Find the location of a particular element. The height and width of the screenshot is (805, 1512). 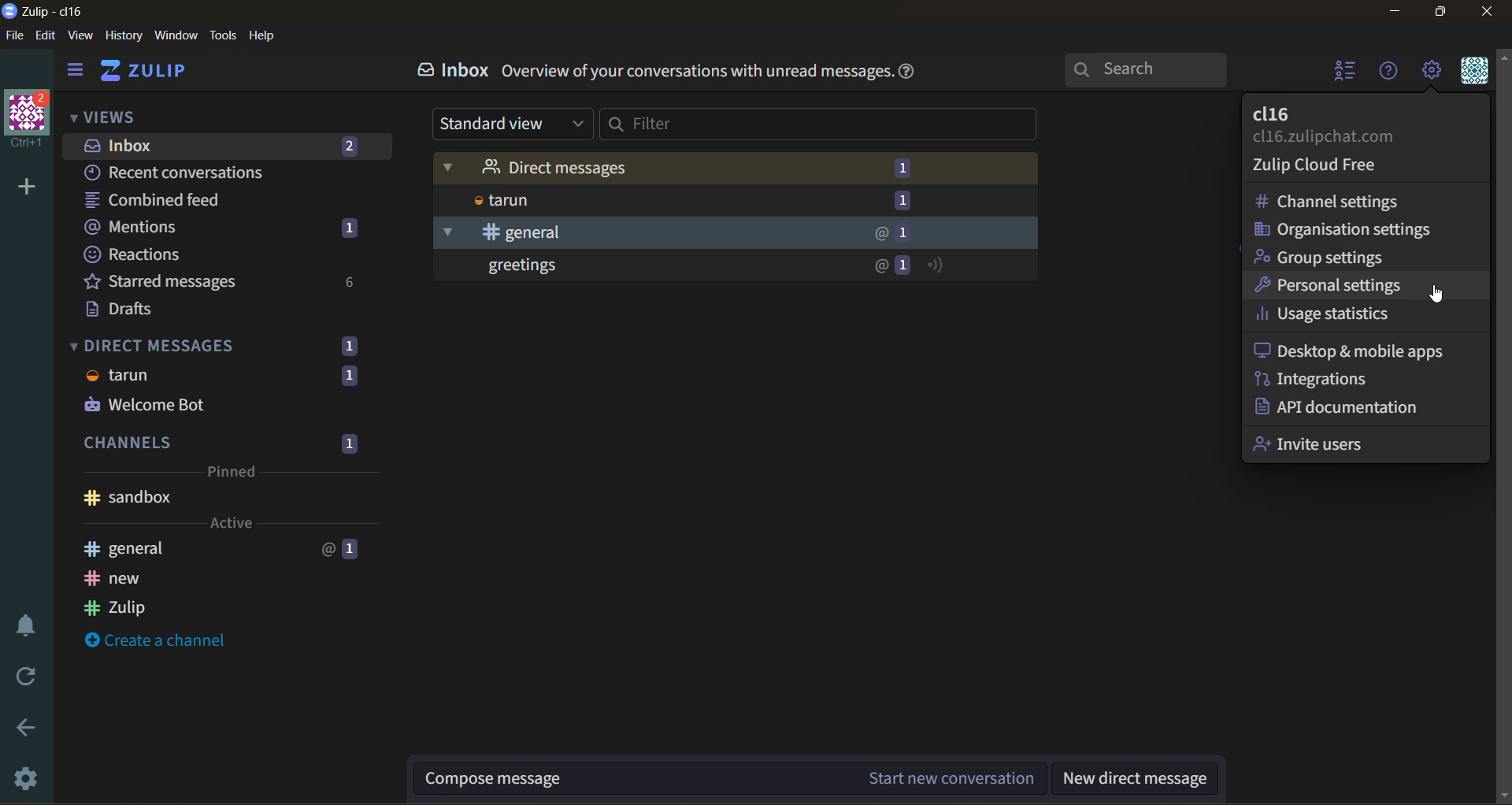

api documentation is located at coordinates (1337, 410).